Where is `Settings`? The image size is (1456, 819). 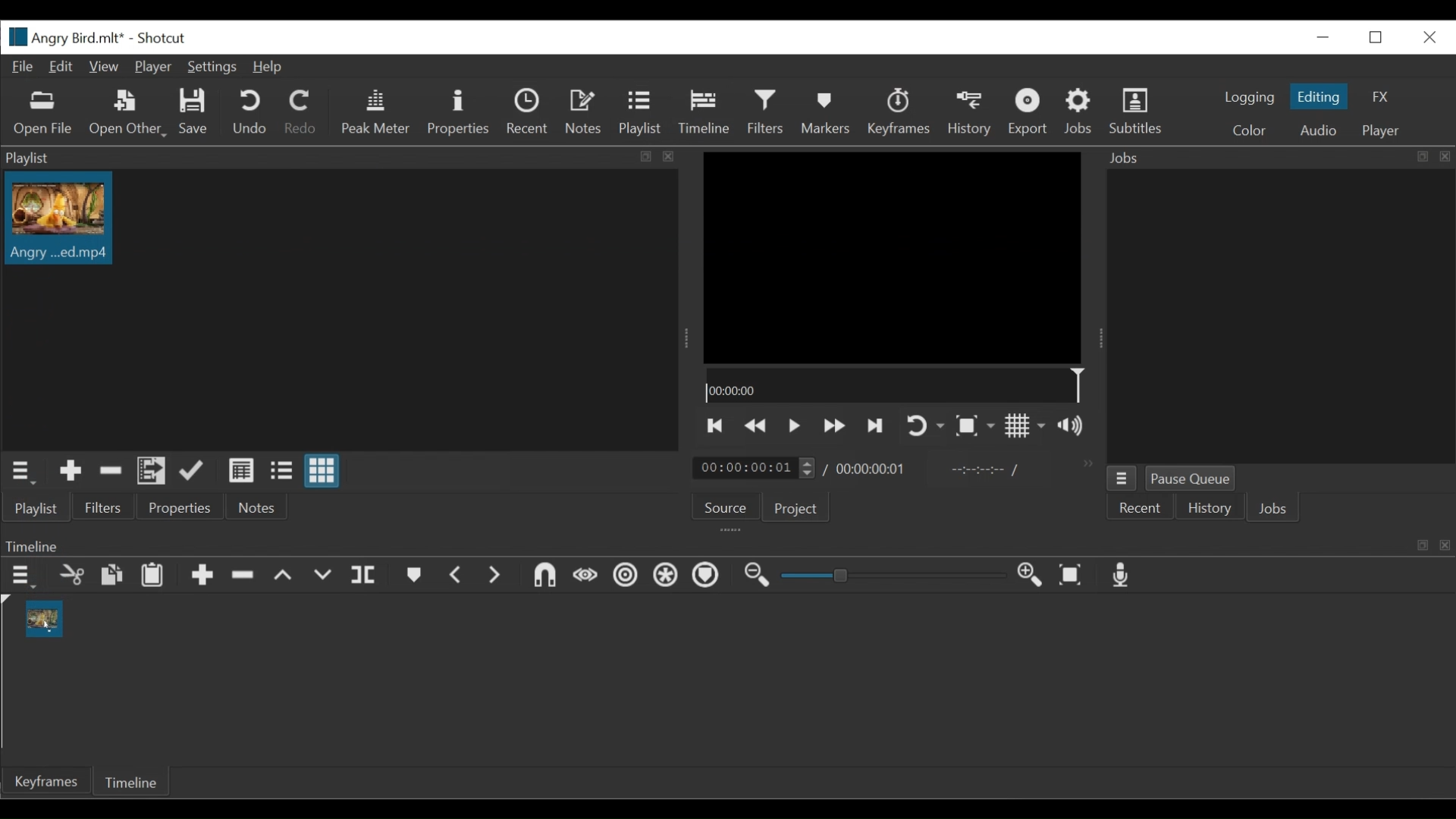 Settings is located at coordinates (213, 68).